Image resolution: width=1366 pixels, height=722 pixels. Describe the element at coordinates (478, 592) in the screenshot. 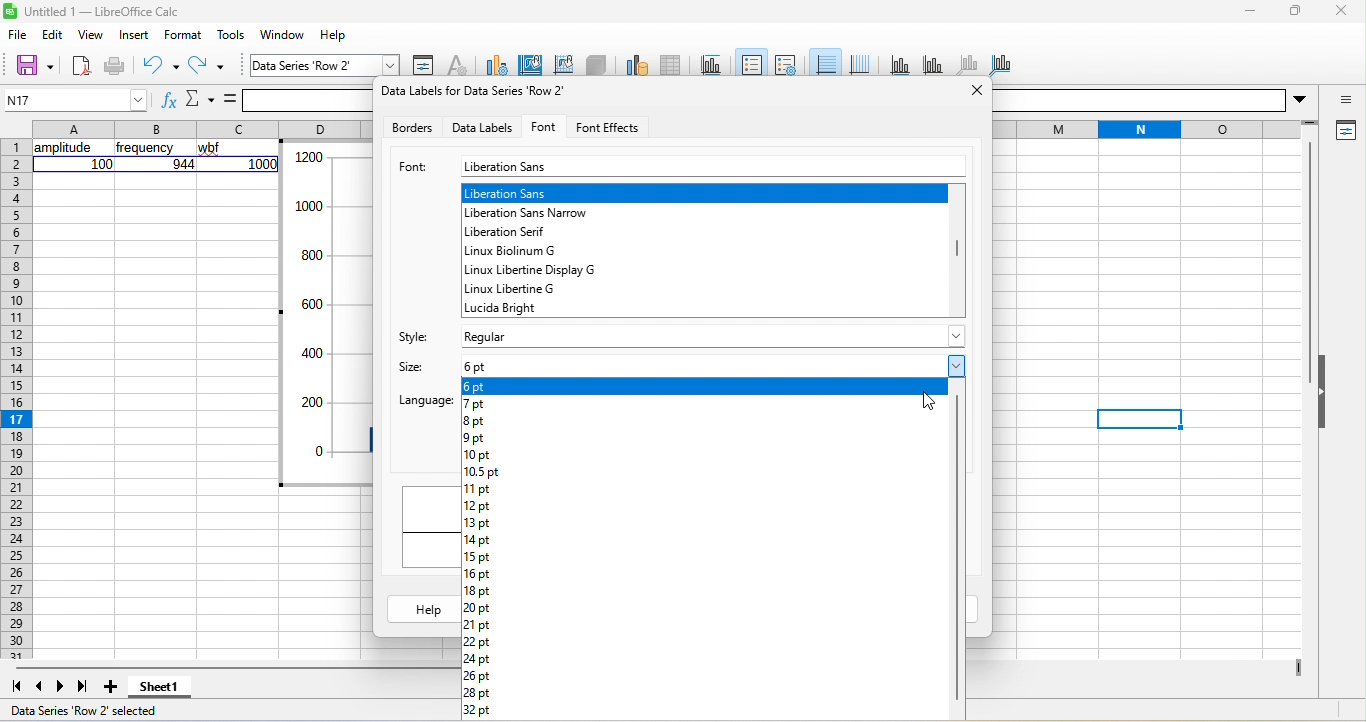

I see `18 pt` at that location.